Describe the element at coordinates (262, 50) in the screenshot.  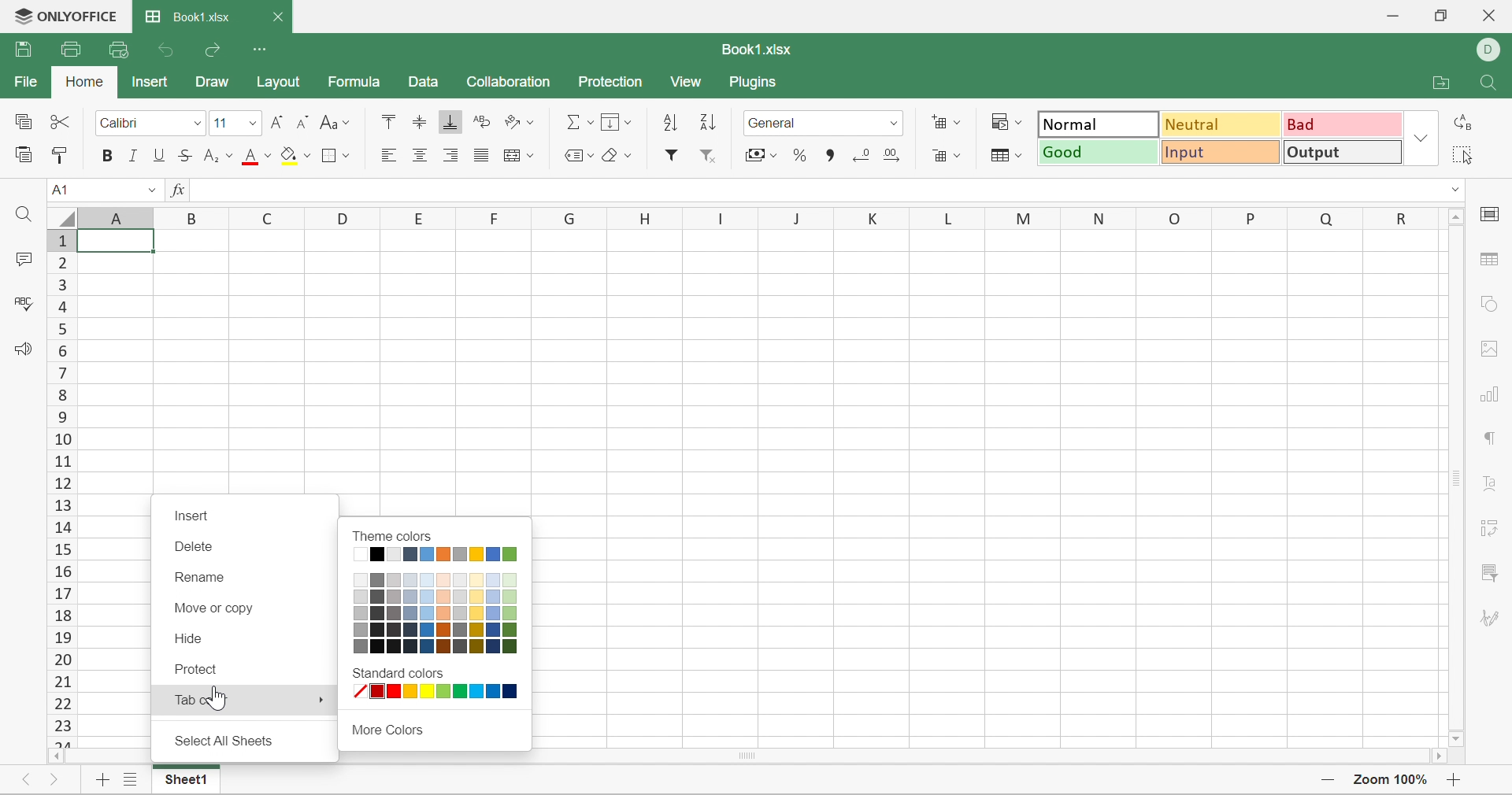
I see `Customize Quick Access Toolbar` at that location.